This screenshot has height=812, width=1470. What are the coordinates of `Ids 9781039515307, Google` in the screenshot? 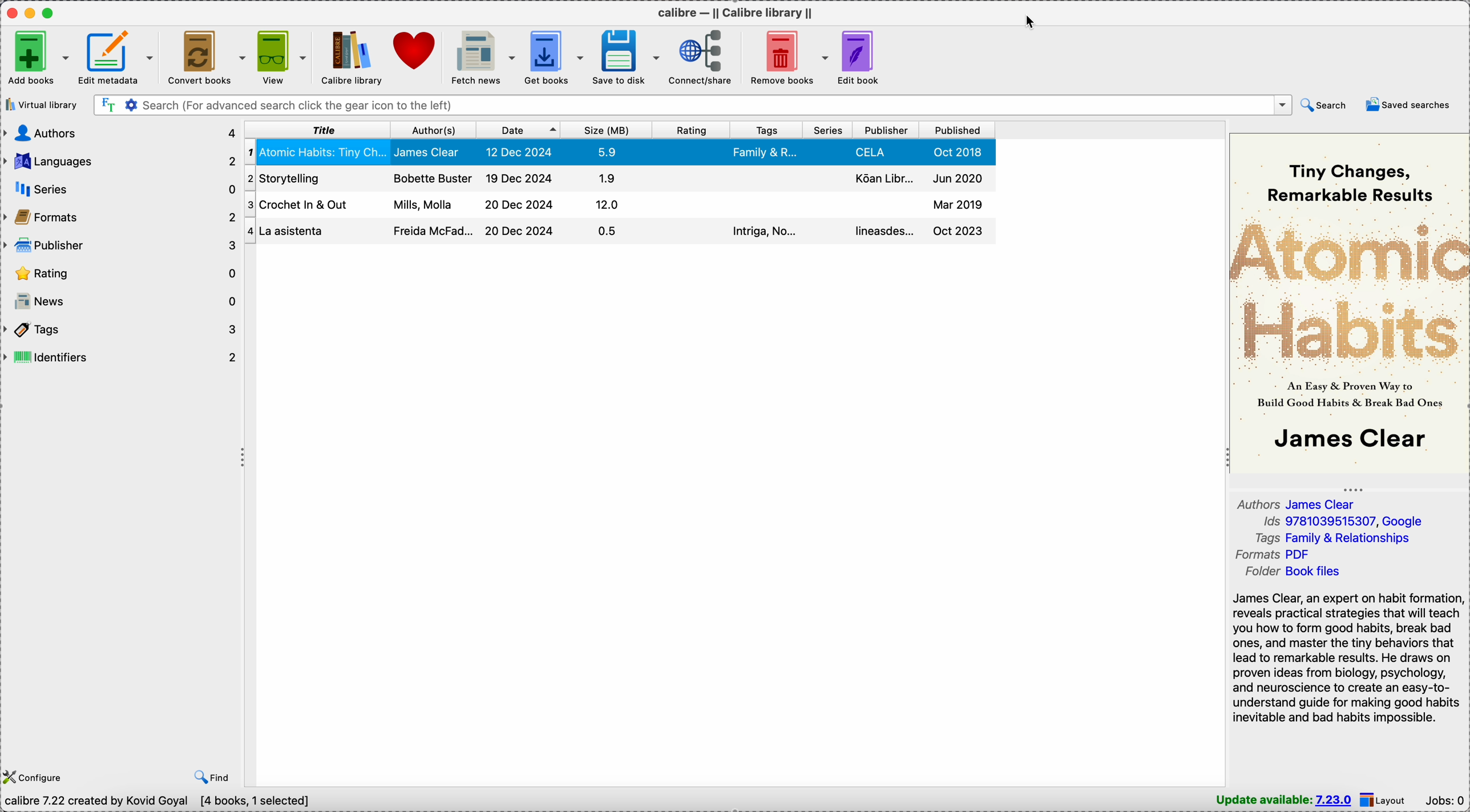 It's located at (1342, 521).